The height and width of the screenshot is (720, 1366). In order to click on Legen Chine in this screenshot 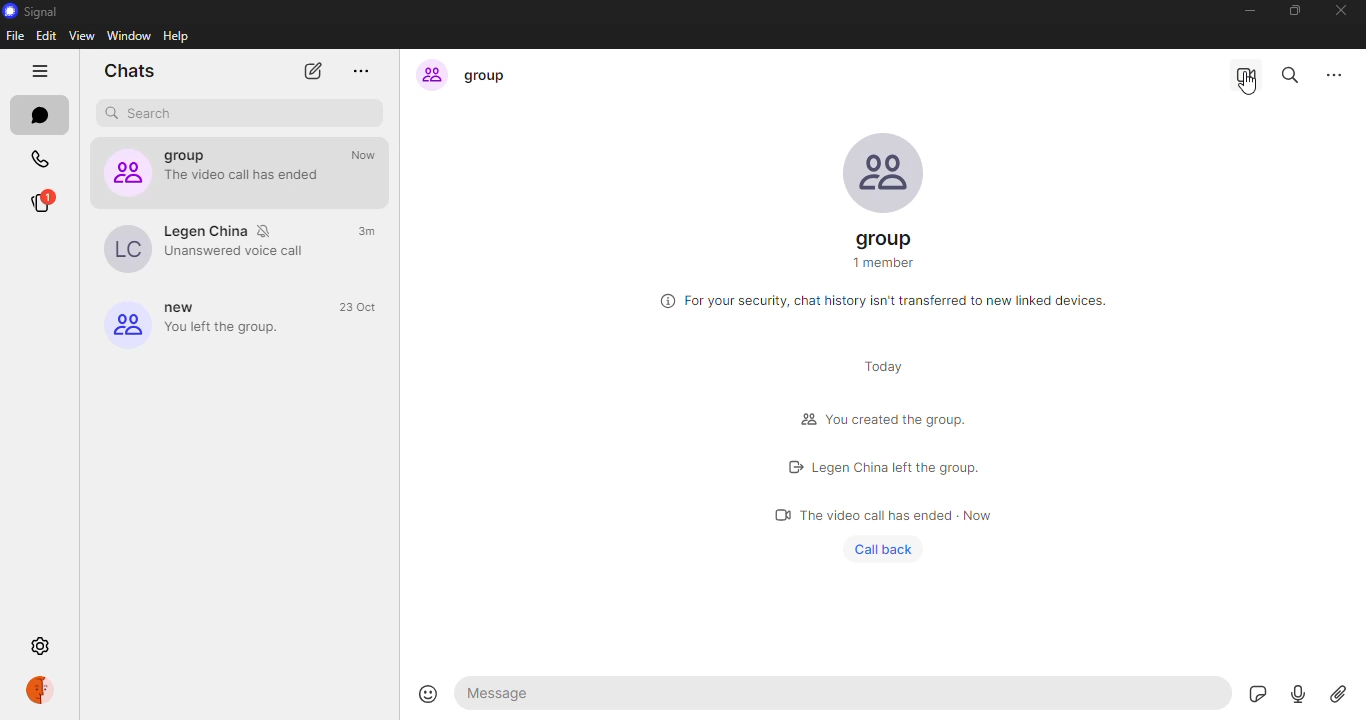, I will do `click(206, 232)`.